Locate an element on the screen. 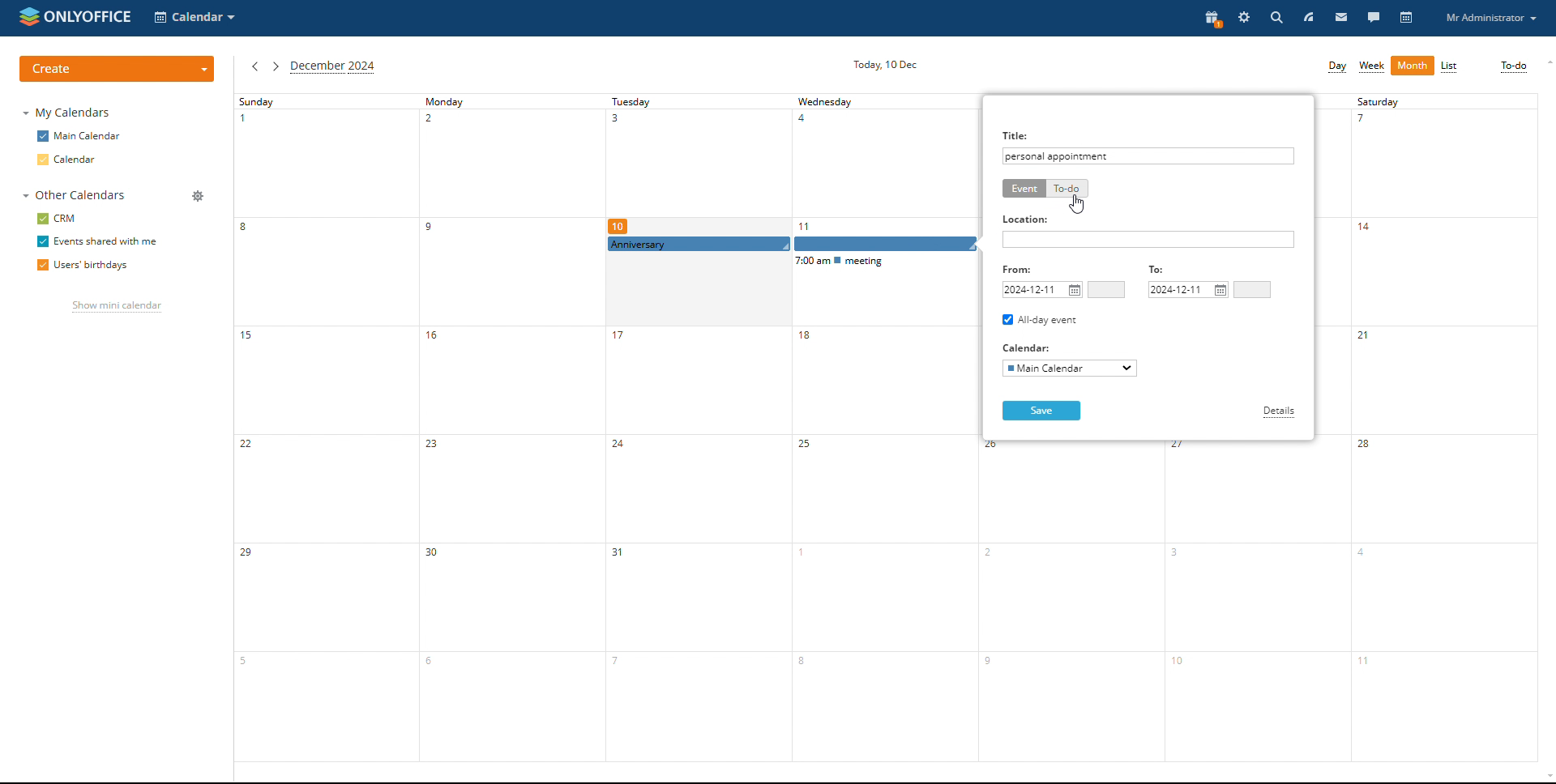 The width and height of the screenshot is (1556, 784). all-day event is located at coordinates (1041, 320).